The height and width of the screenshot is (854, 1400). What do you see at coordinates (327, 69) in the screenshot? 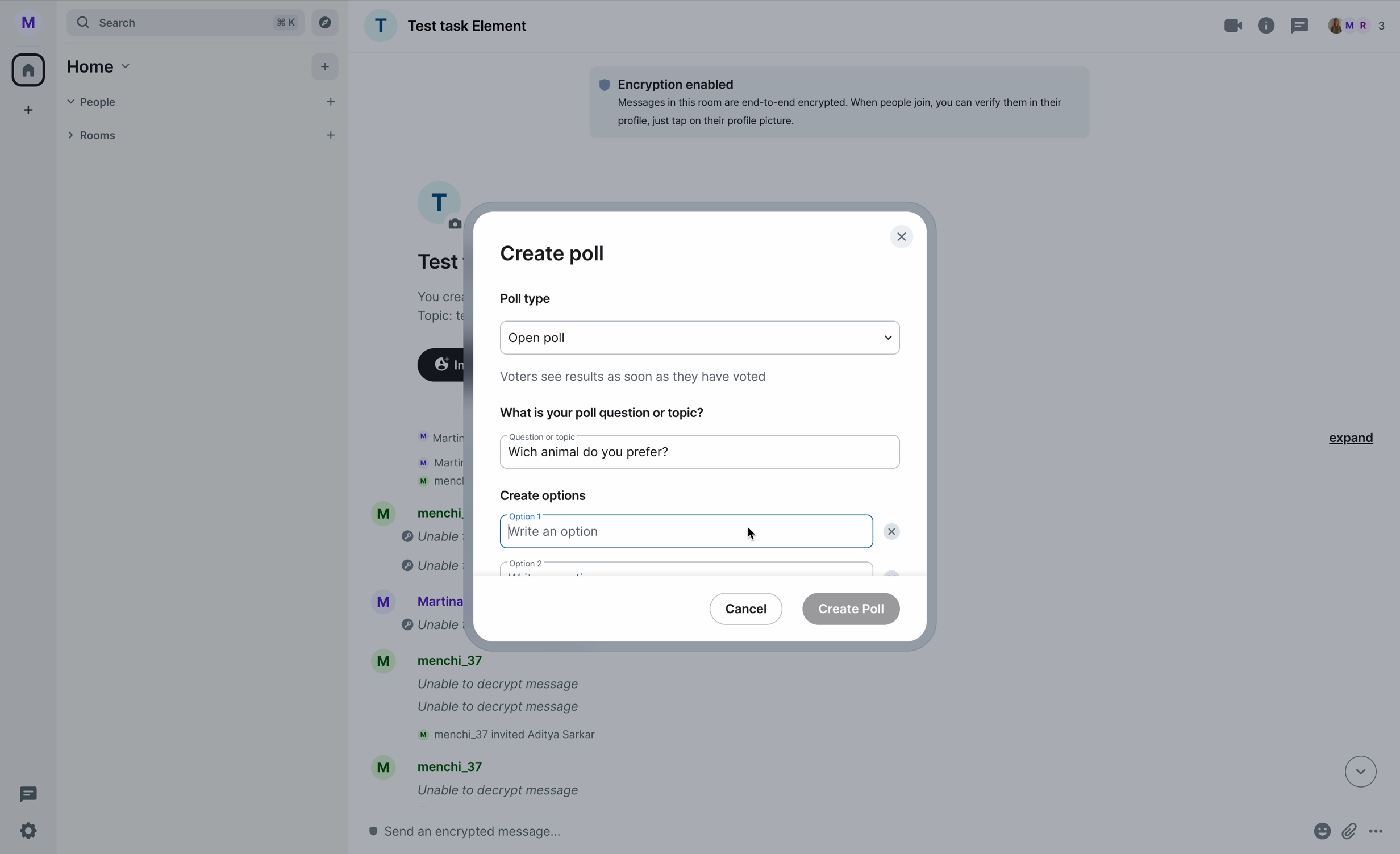
I see `add` at bounding box center [327, 69].